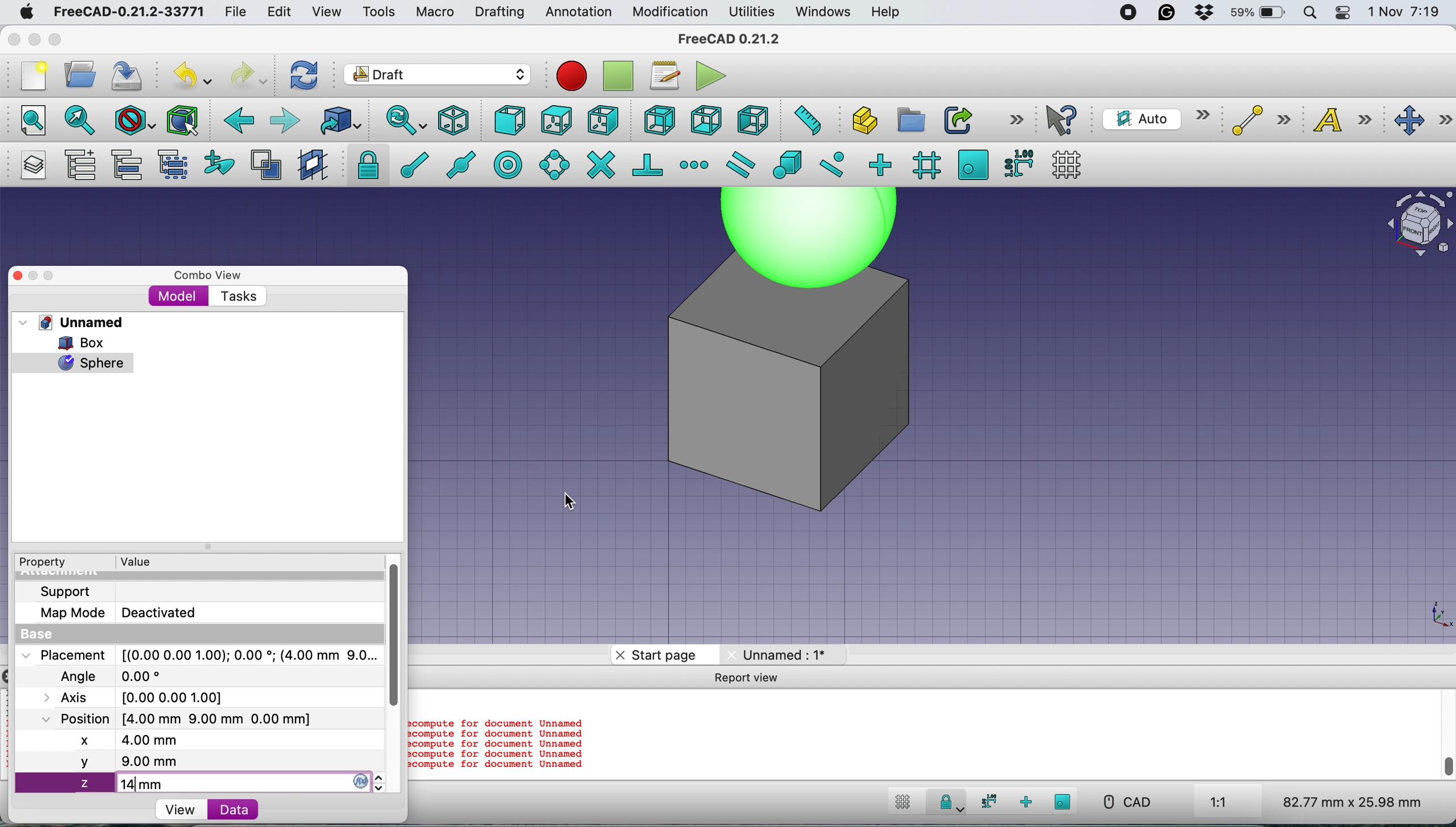  Describe the element at coordinates (825, 12) in the screenshot. I see `windows` at that location.